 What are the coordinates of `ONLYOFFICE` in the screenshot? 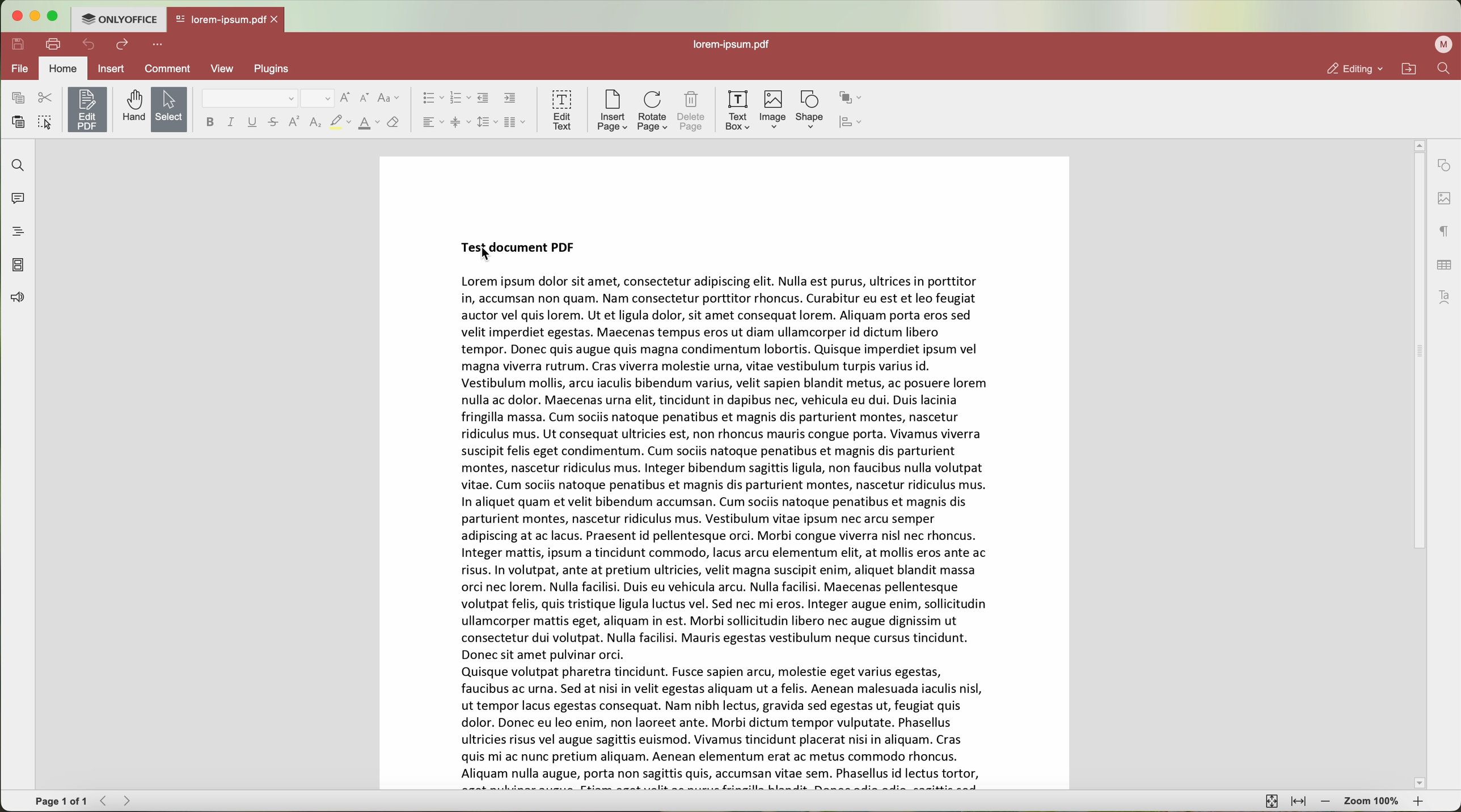 It's located at (118, 19).